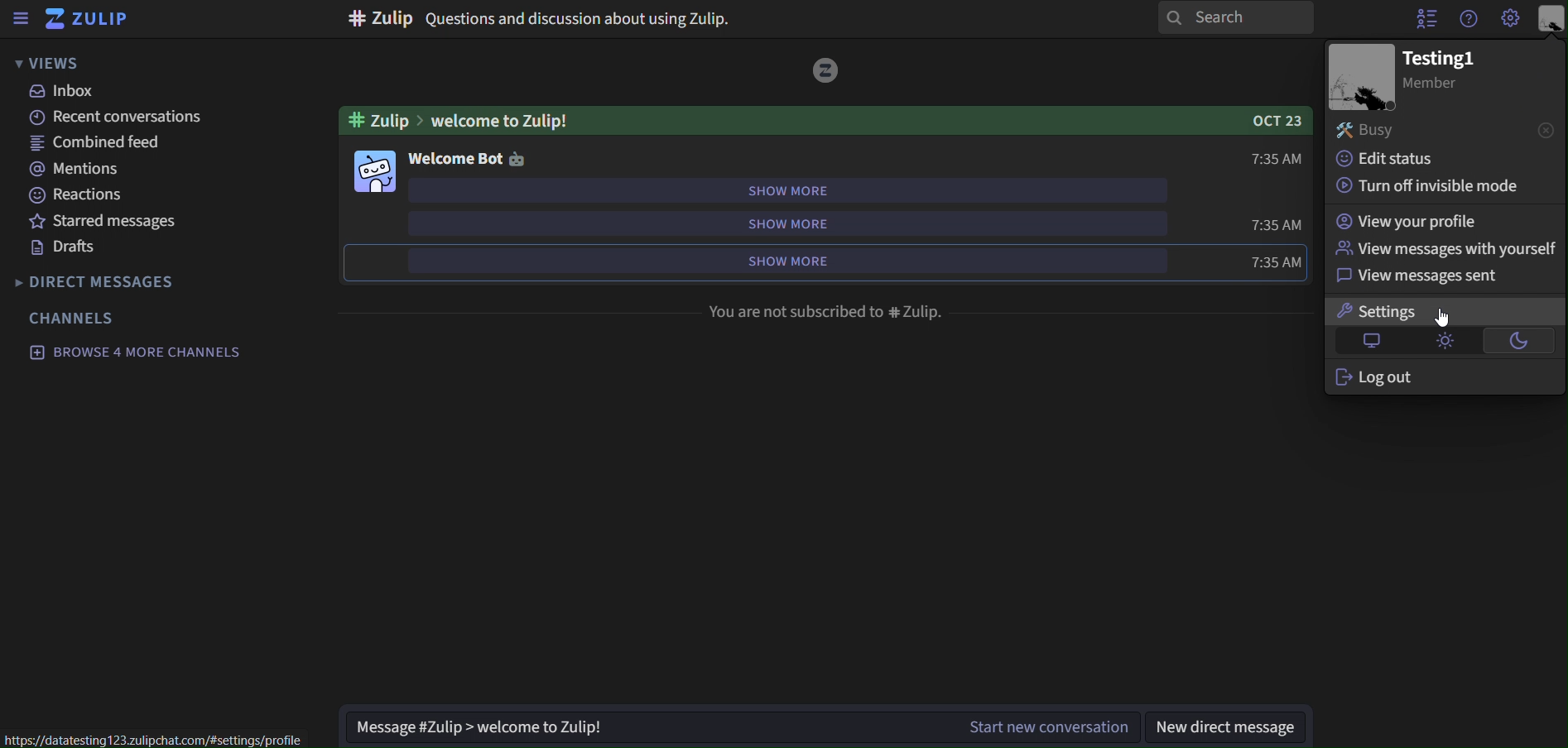 This screenshot has width=1568, height=748. What do you see at coordinates (166, 740) in the screenshot?
I see `https//datatesting123zulipchat.com/#setings/profile` at bounding box center [166, 740].